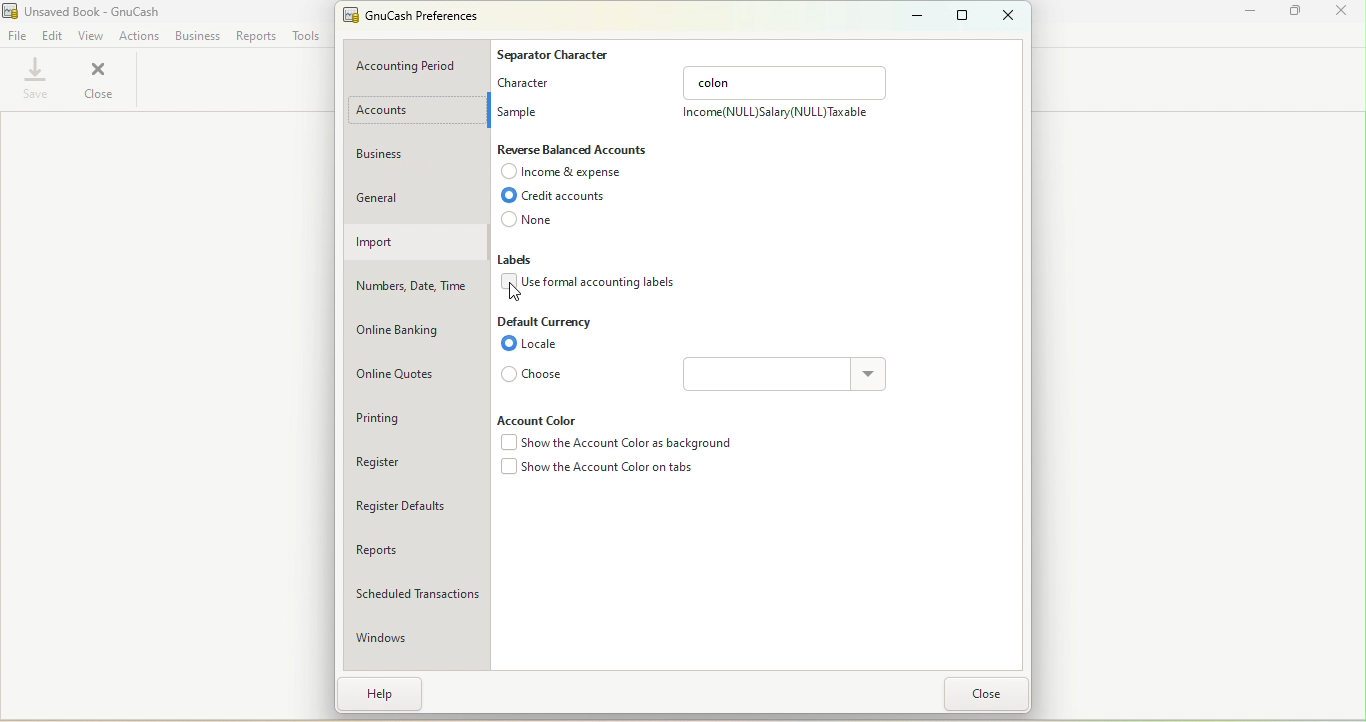  Describe the element at coordinates (547, 321) in the screenshot. I see `Default currency` at that location.